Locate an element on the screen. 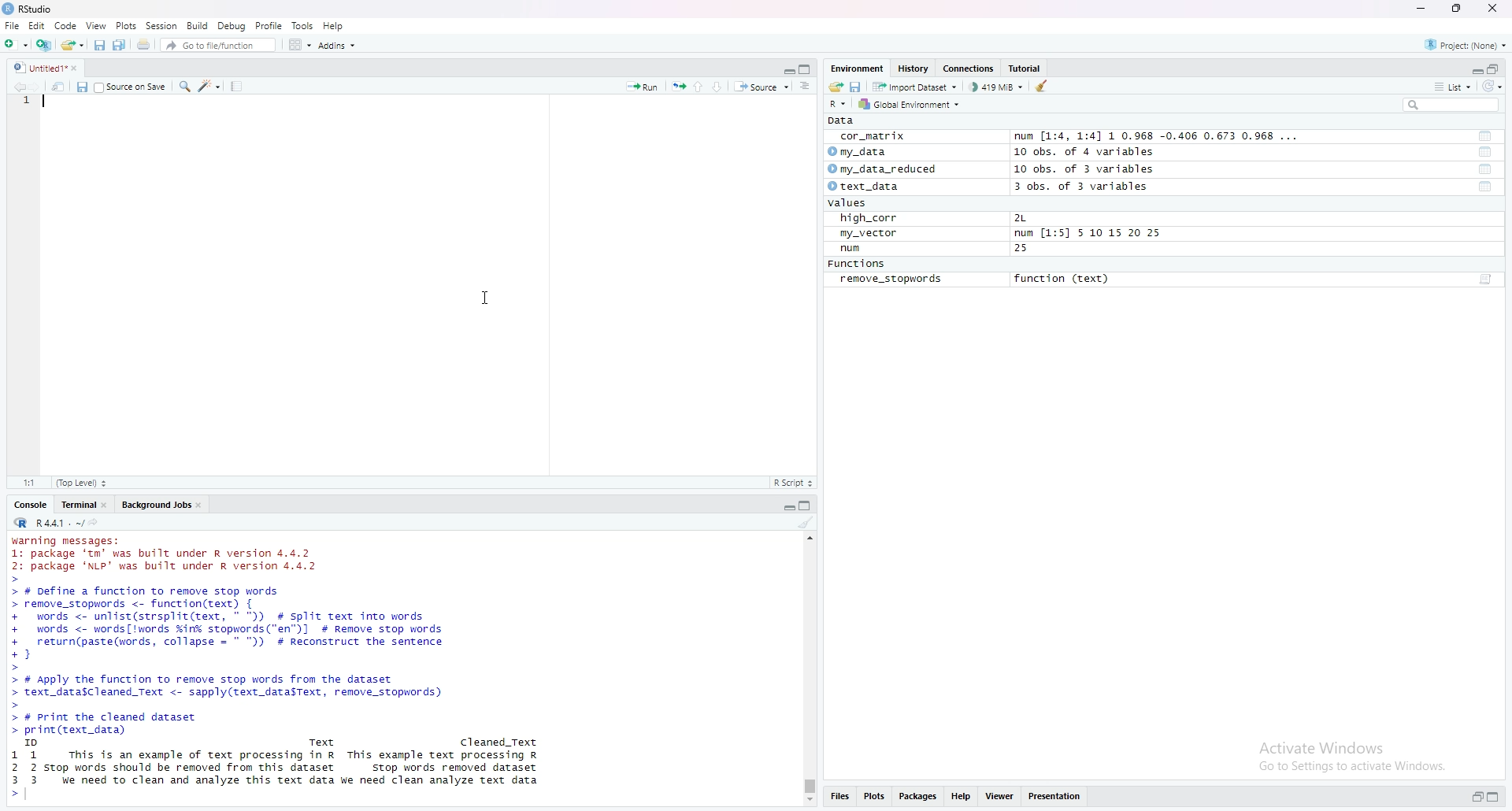 The image size is (1512, 811). Restore Down is located at coordinates (1457, 8).